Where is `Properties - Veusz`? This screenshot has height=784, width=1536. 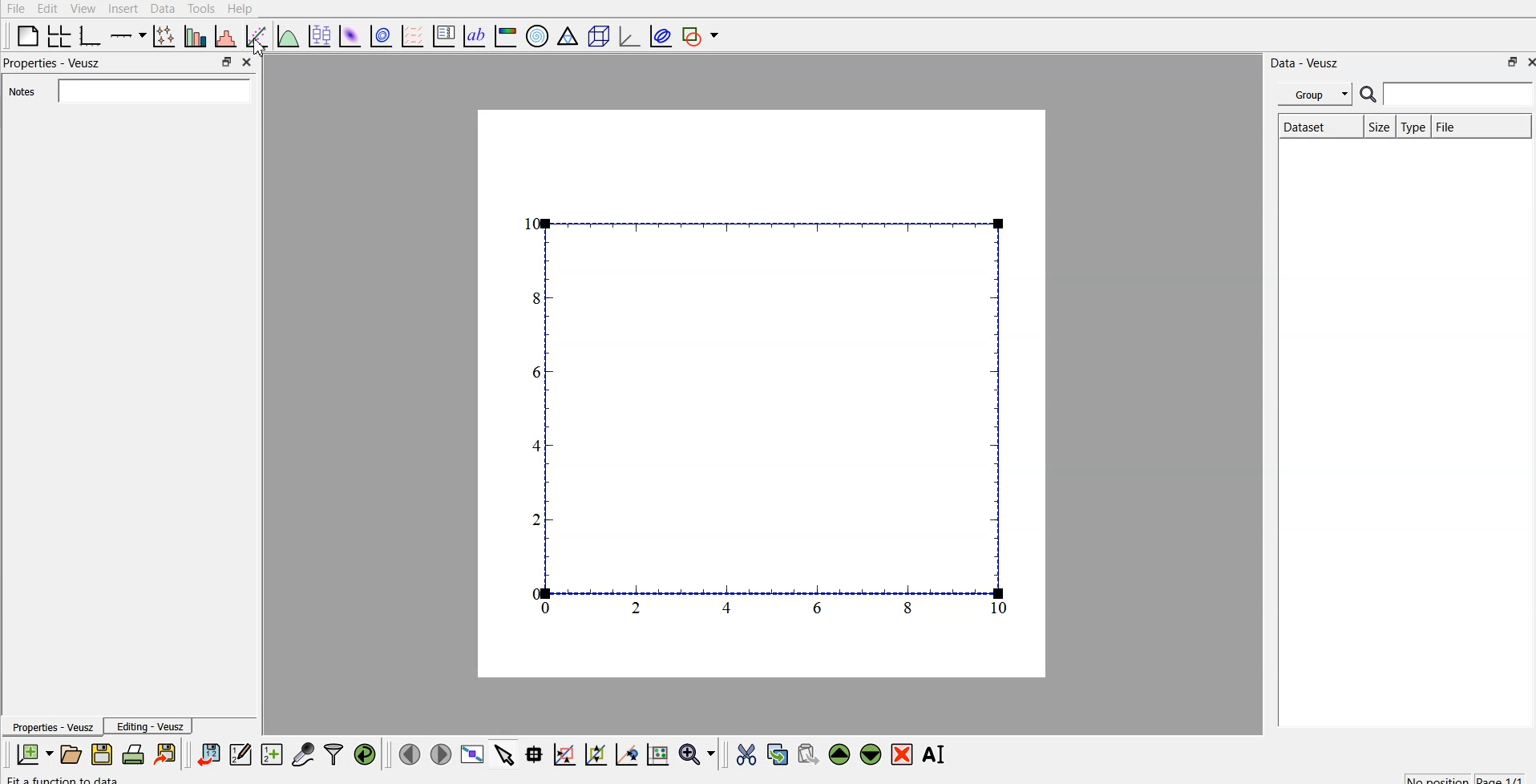 Properties - Veusz is located at coordinates (53, 726).